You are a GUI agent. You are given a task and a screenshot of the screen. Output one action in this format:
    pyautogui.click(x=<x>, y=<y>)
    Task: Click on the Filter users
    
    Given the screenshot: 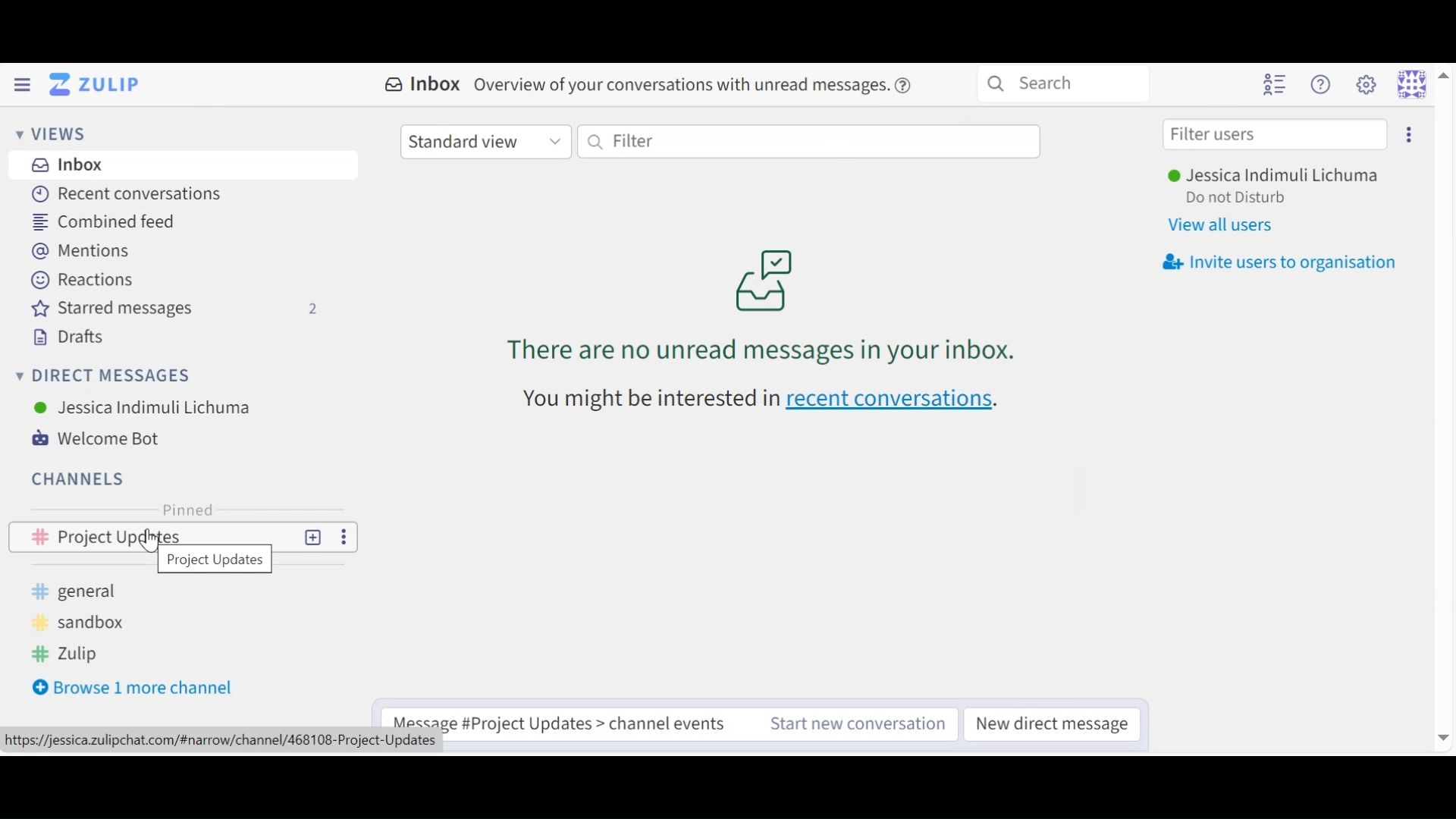 What is the action you would take?
    pyautogui.click(x=1276, y=135)
    